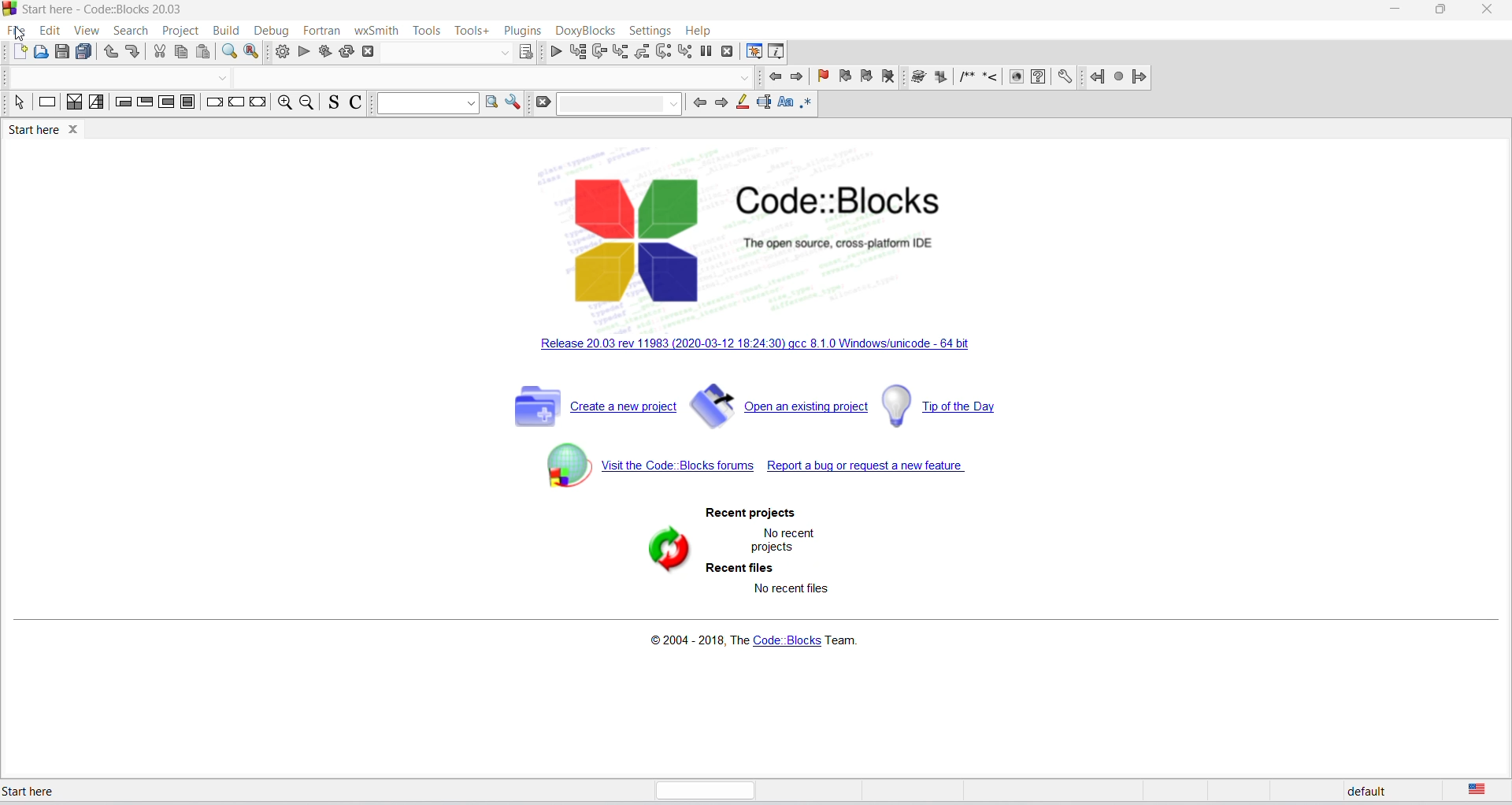  What do you see at coordinates (943, 77) in the screenshot?
I see `icon` at bounding box center [943, 77].